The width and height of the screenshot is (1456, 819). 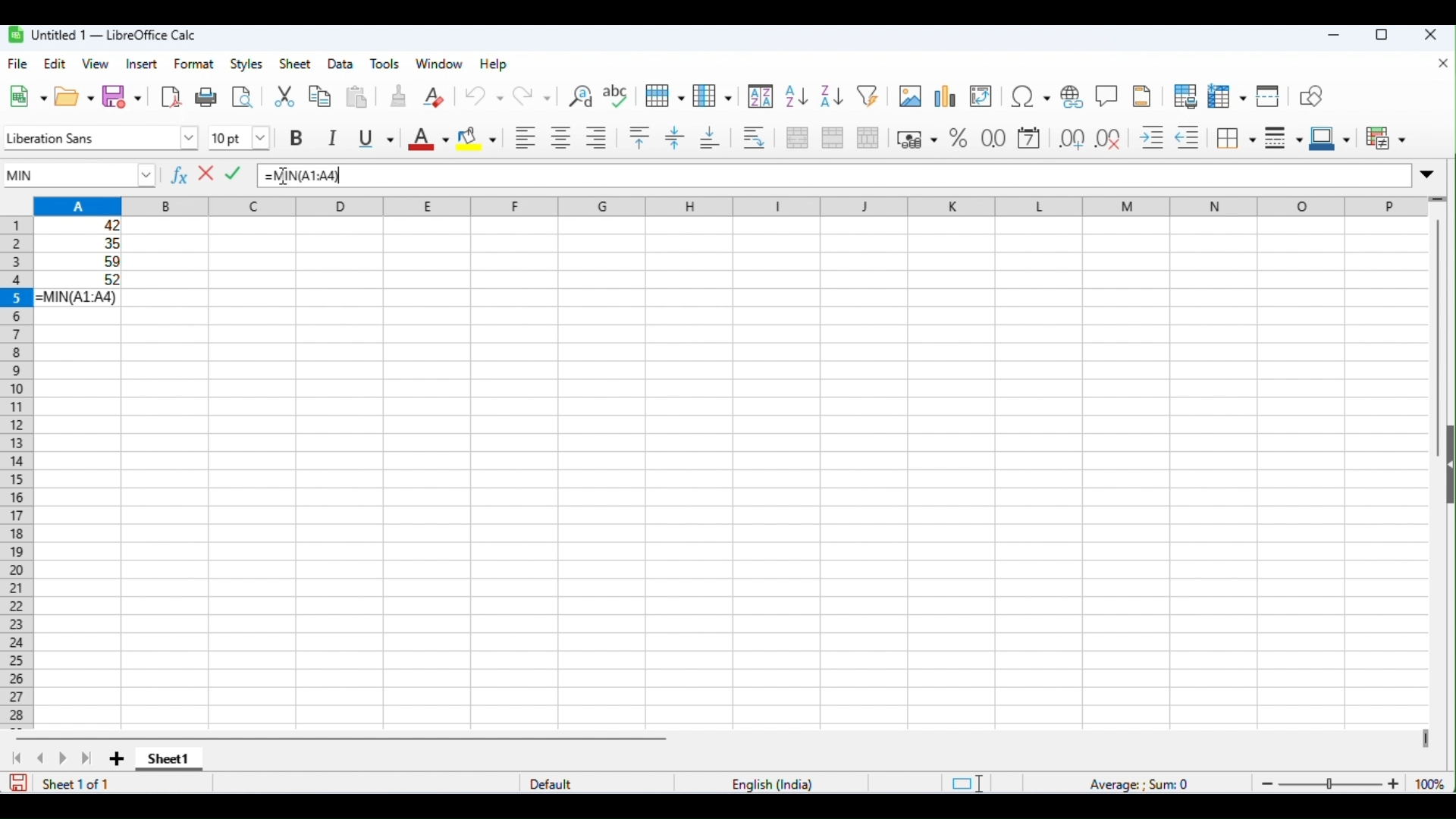 What do you see at coordinates (74, 97) in the screenshot?
I see `open` at bounding box center [74, 97].